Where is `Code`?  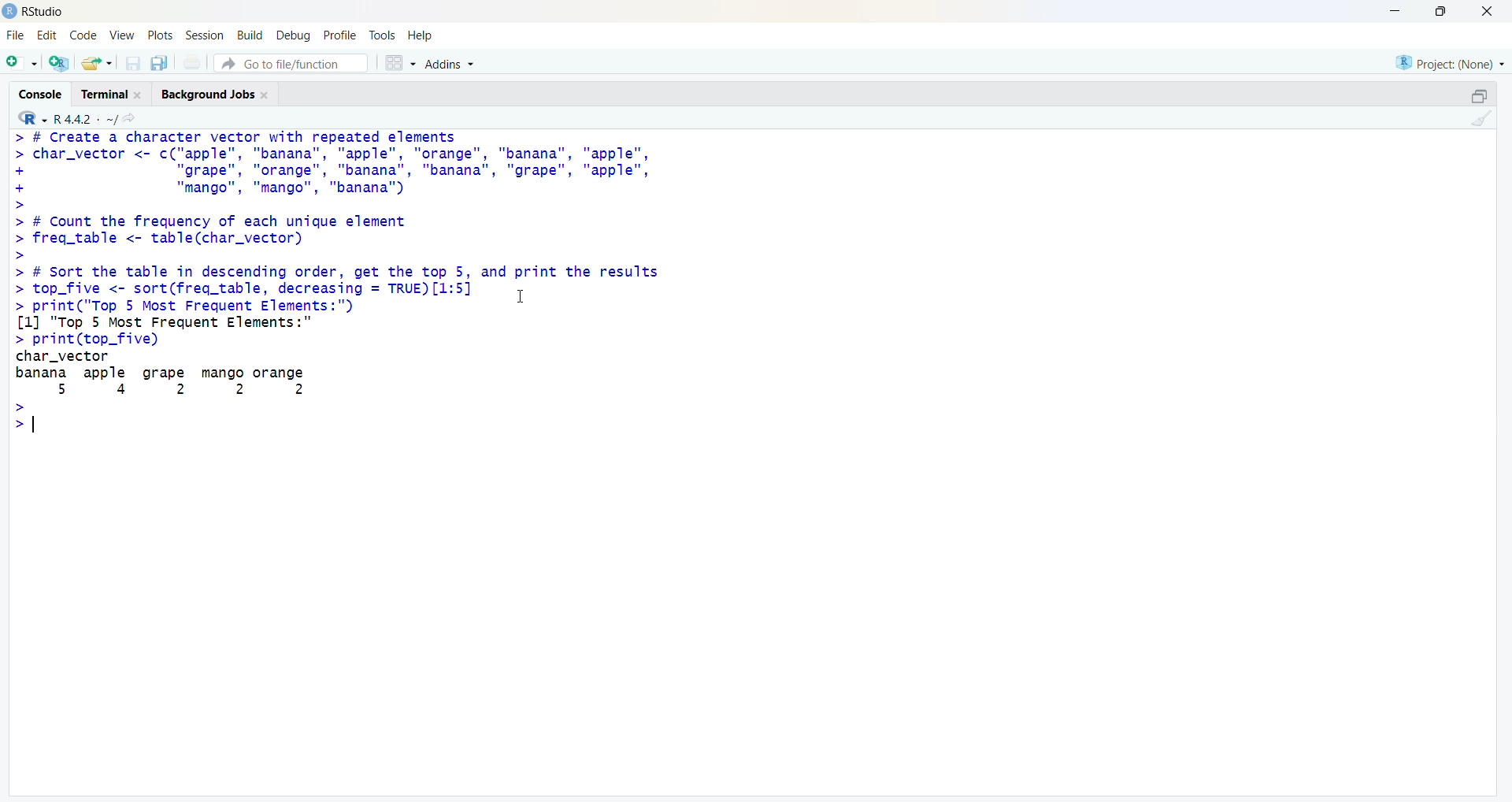
Code is located at coordinates (84, 36).